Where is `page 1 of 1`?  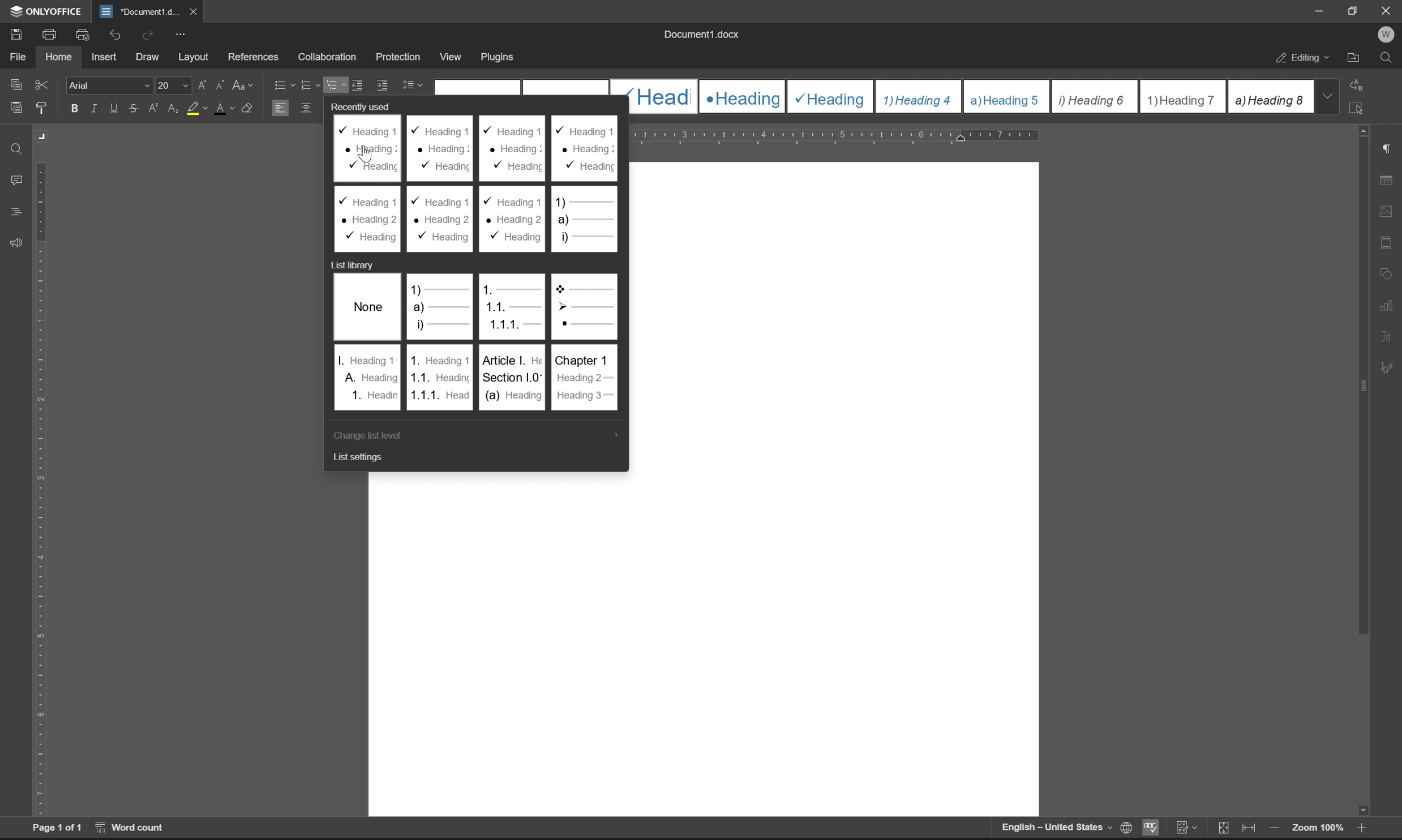 page 1 of 1 is located at coordinates (57, 828).